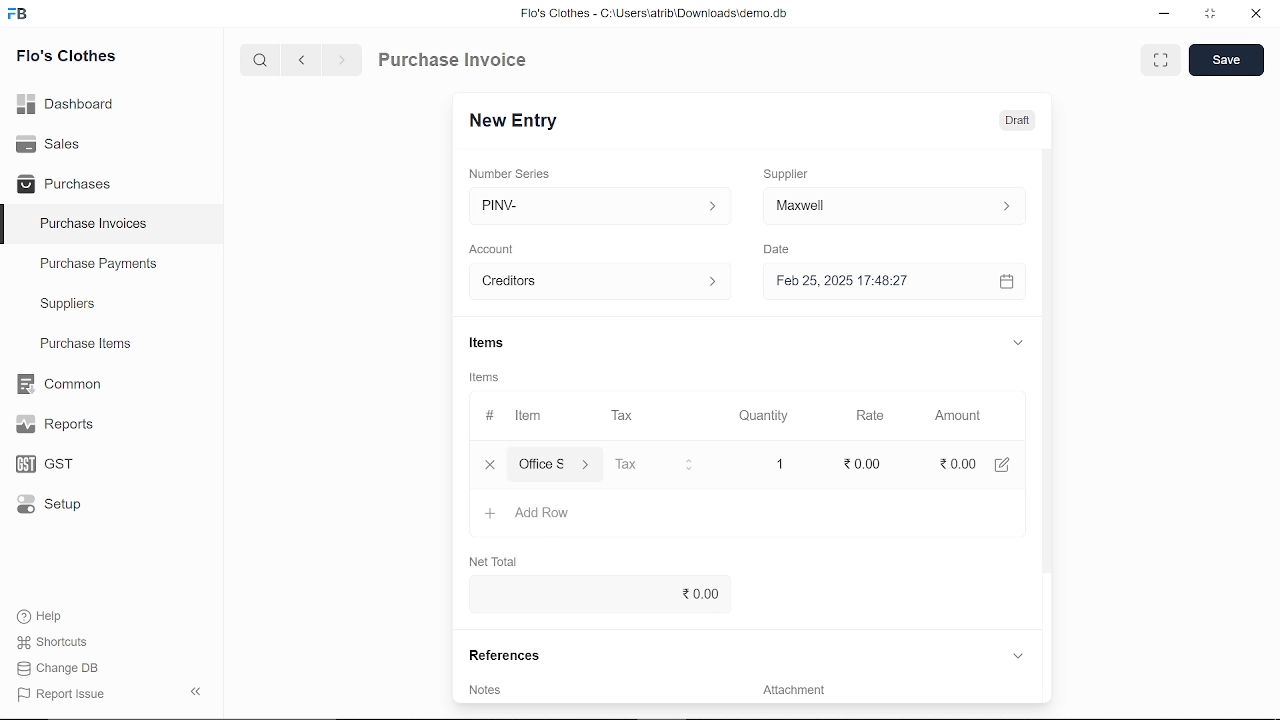 Image resolution: width=1280 pixels, height=720 pixels. I want to click on Items, so click(502, 343).